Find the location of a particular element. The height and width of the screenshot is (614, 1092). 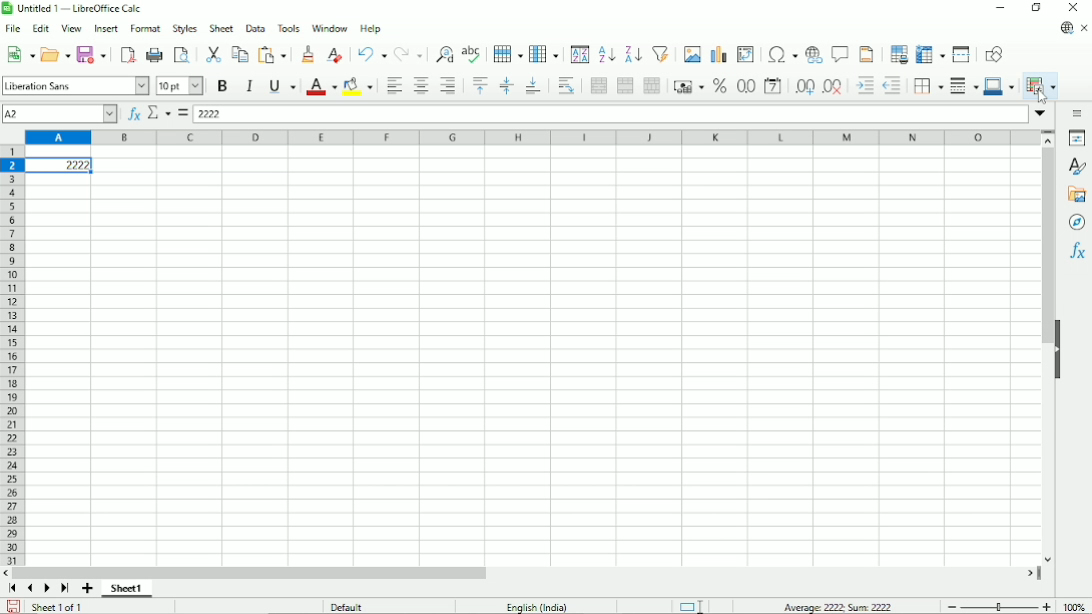

Align center is located at coordinates (421, 85).